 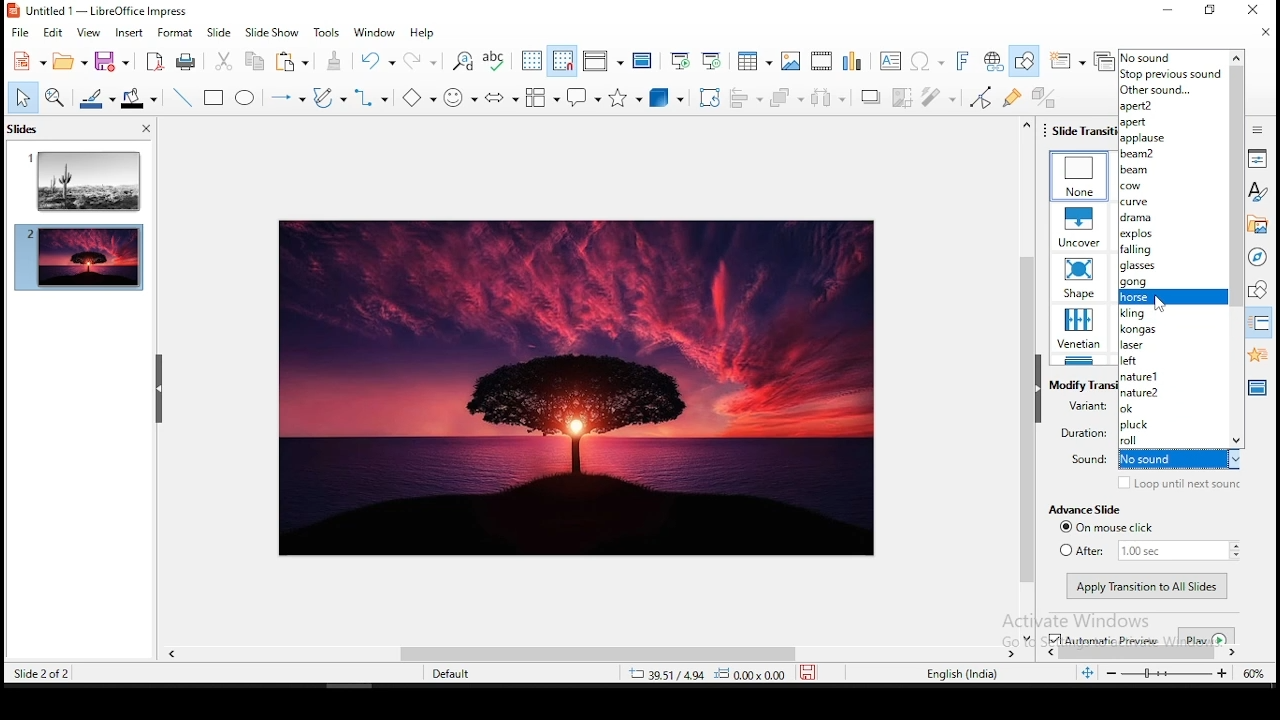 What do you see at coordinates (1172, 251) in the screenshot?
I see `falling` at bounding box center [1172, 251].